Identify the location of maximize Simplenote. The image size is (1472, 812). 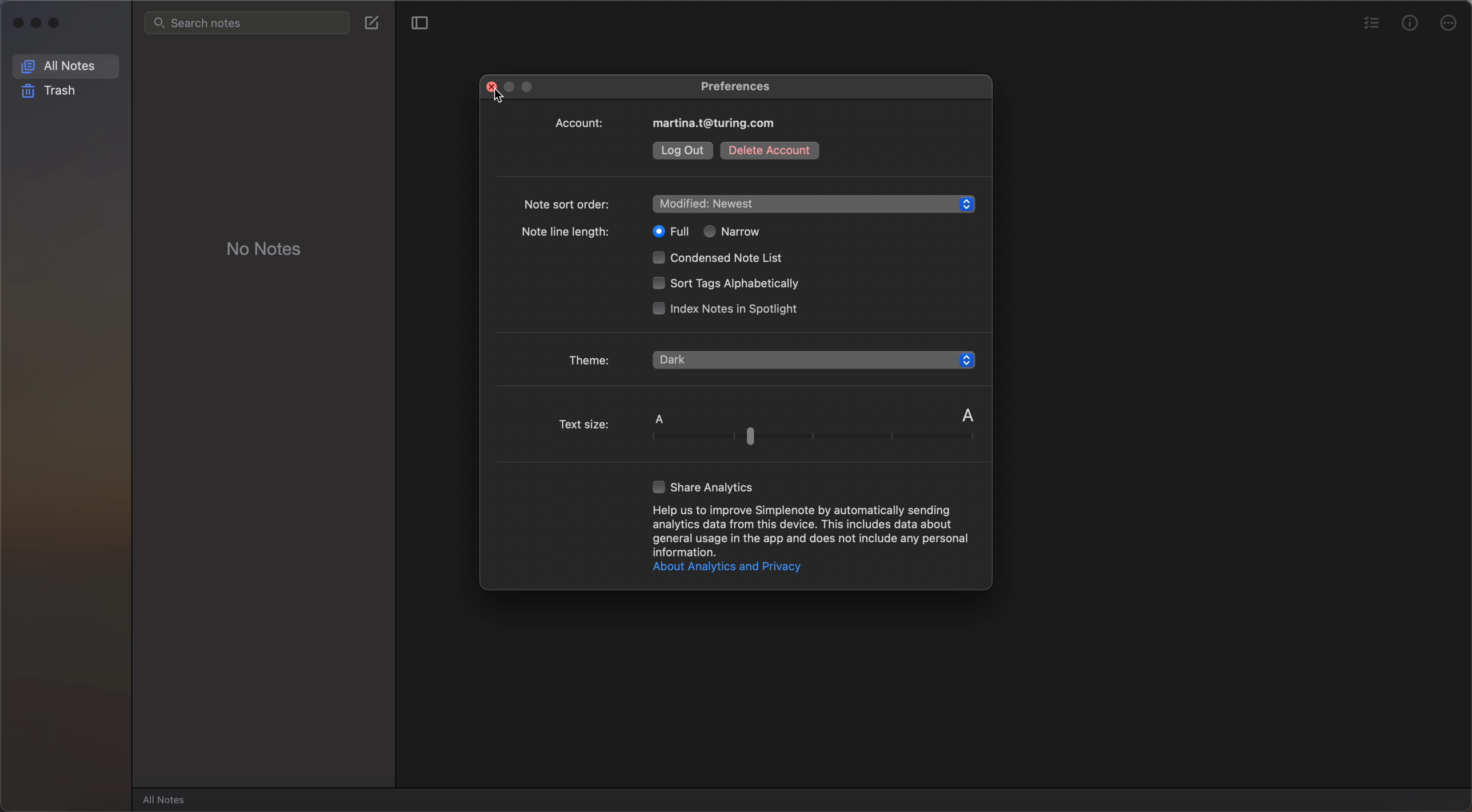
(531, 88).